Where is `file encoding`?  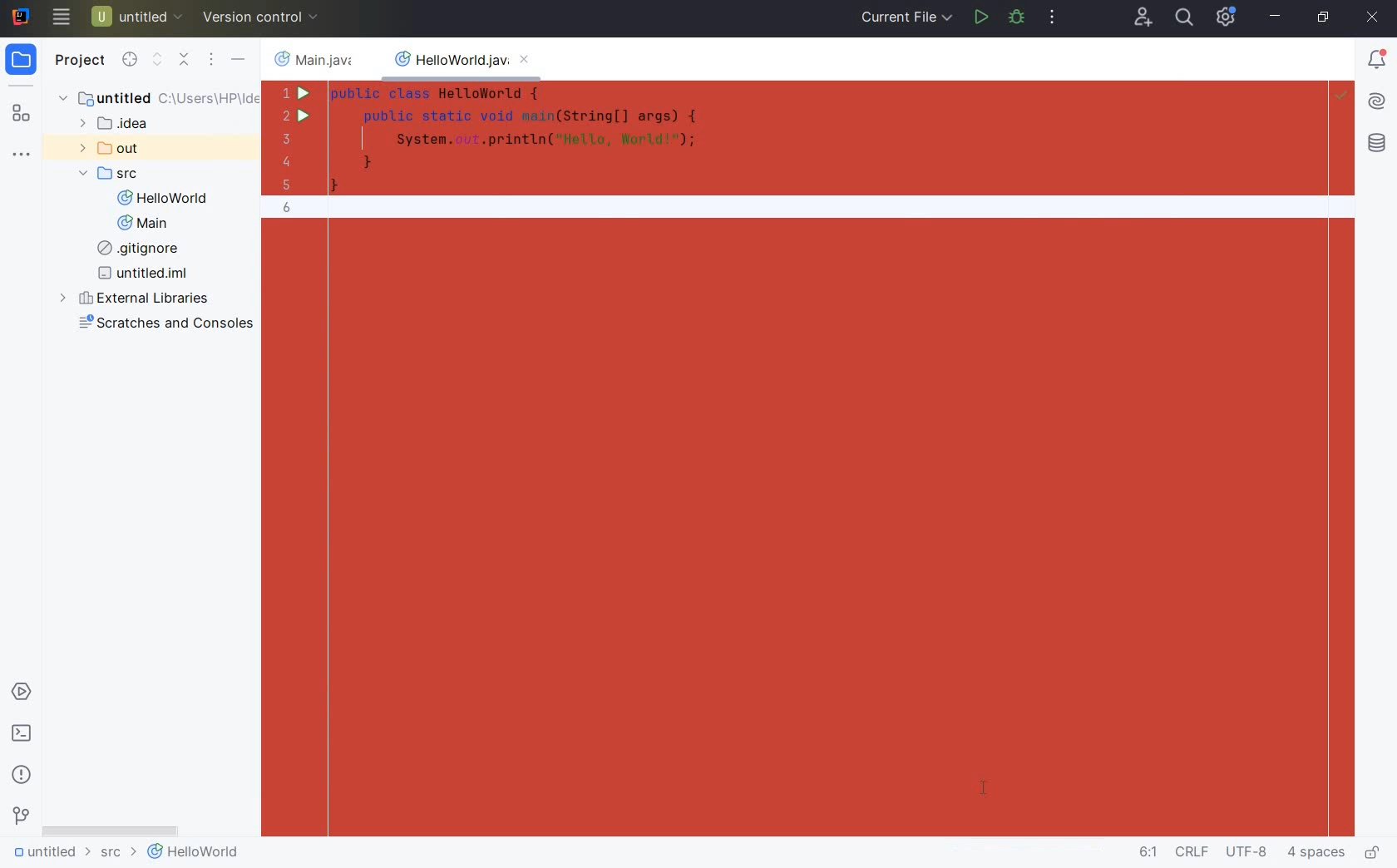
file encoding is located at coordinates (1248, 853).